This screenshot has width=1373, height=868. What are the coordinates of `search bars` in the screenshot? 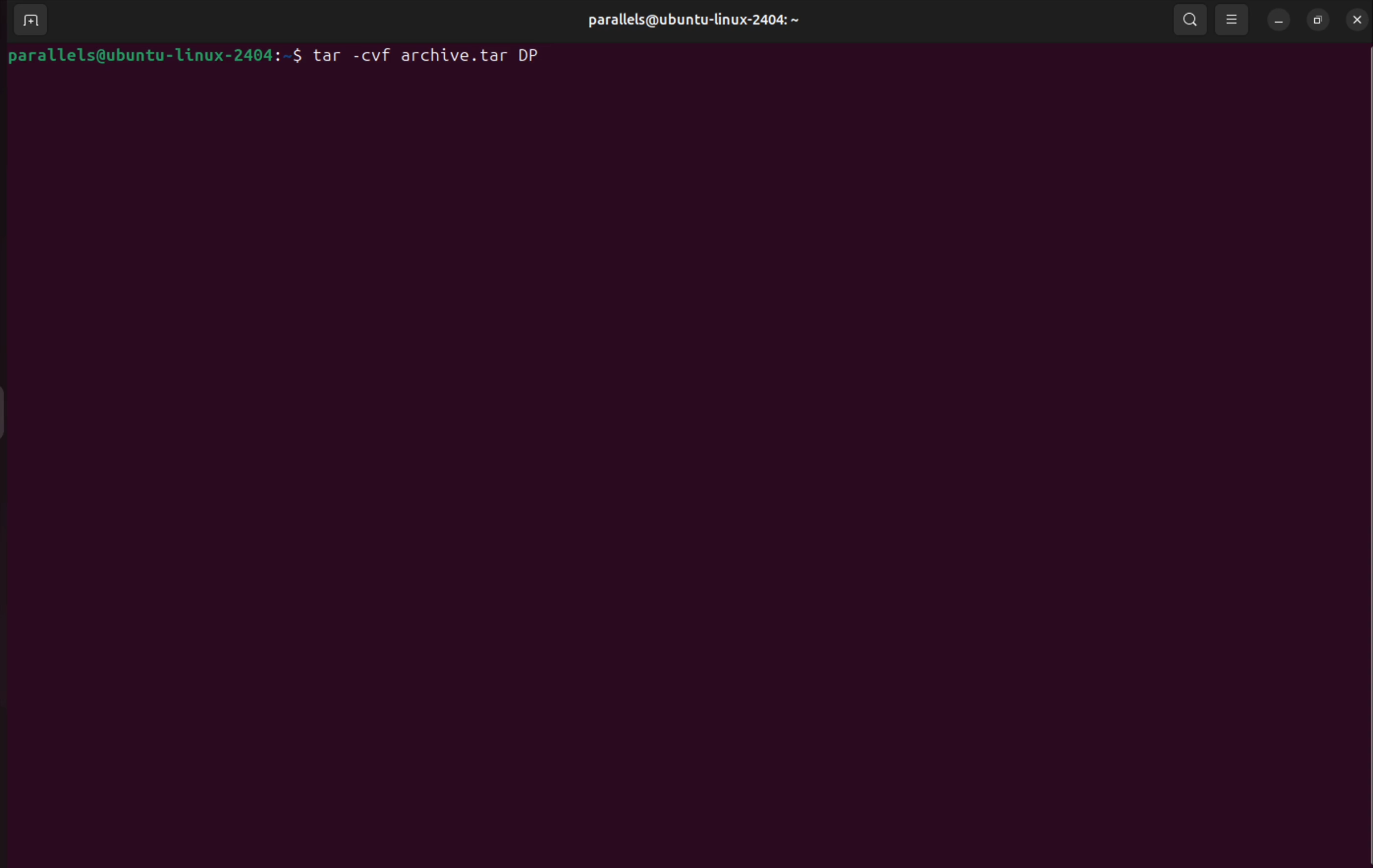 It's located at (1189, 18).